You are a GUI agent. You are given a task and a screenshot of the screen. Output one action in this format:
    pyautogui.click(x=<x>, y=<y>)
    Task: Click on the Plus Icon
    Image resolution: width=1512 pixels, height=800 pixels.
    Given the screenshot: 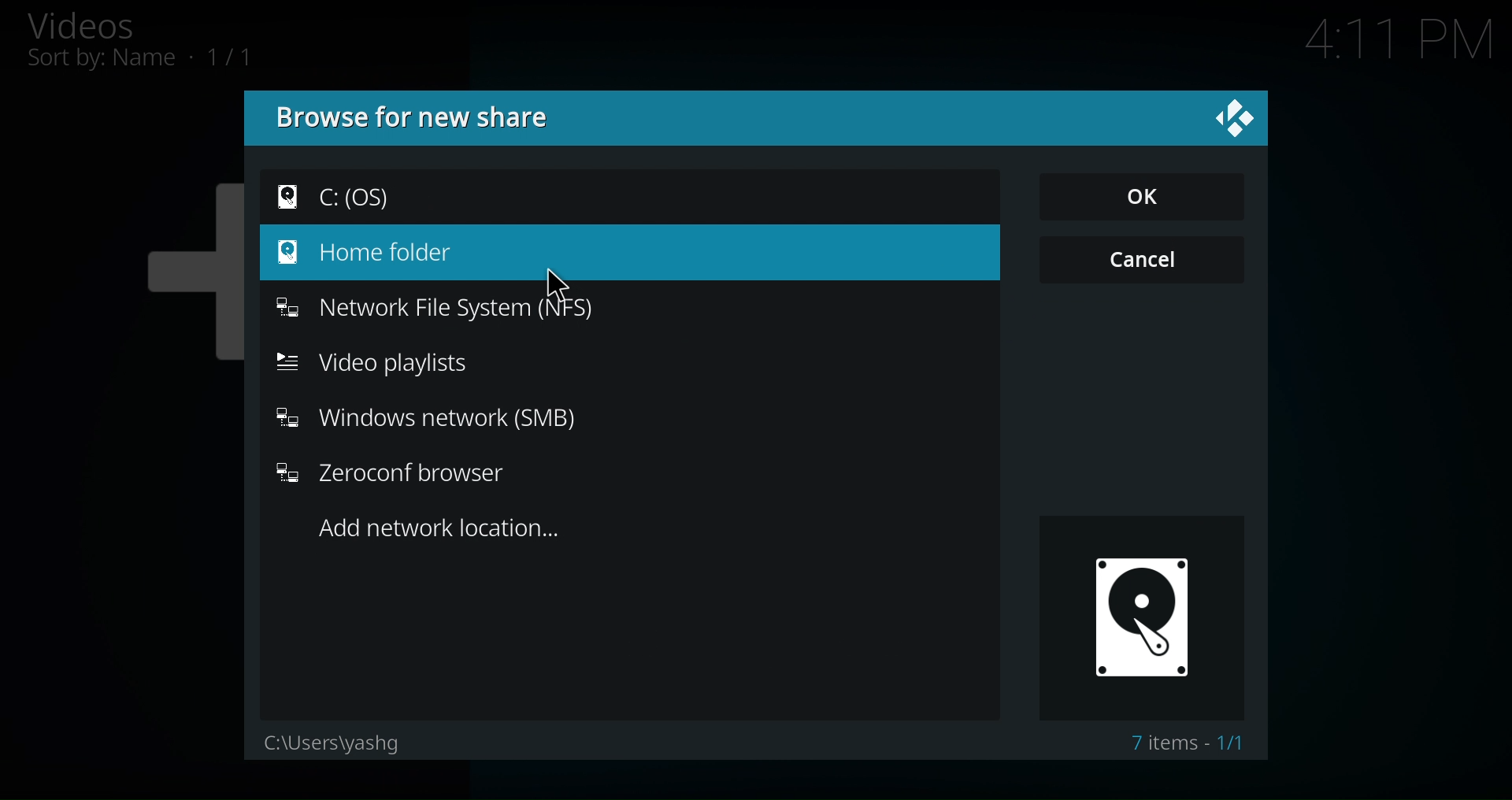 What is the action you would take?
    pyautogui.click(x=162, y=276)
    